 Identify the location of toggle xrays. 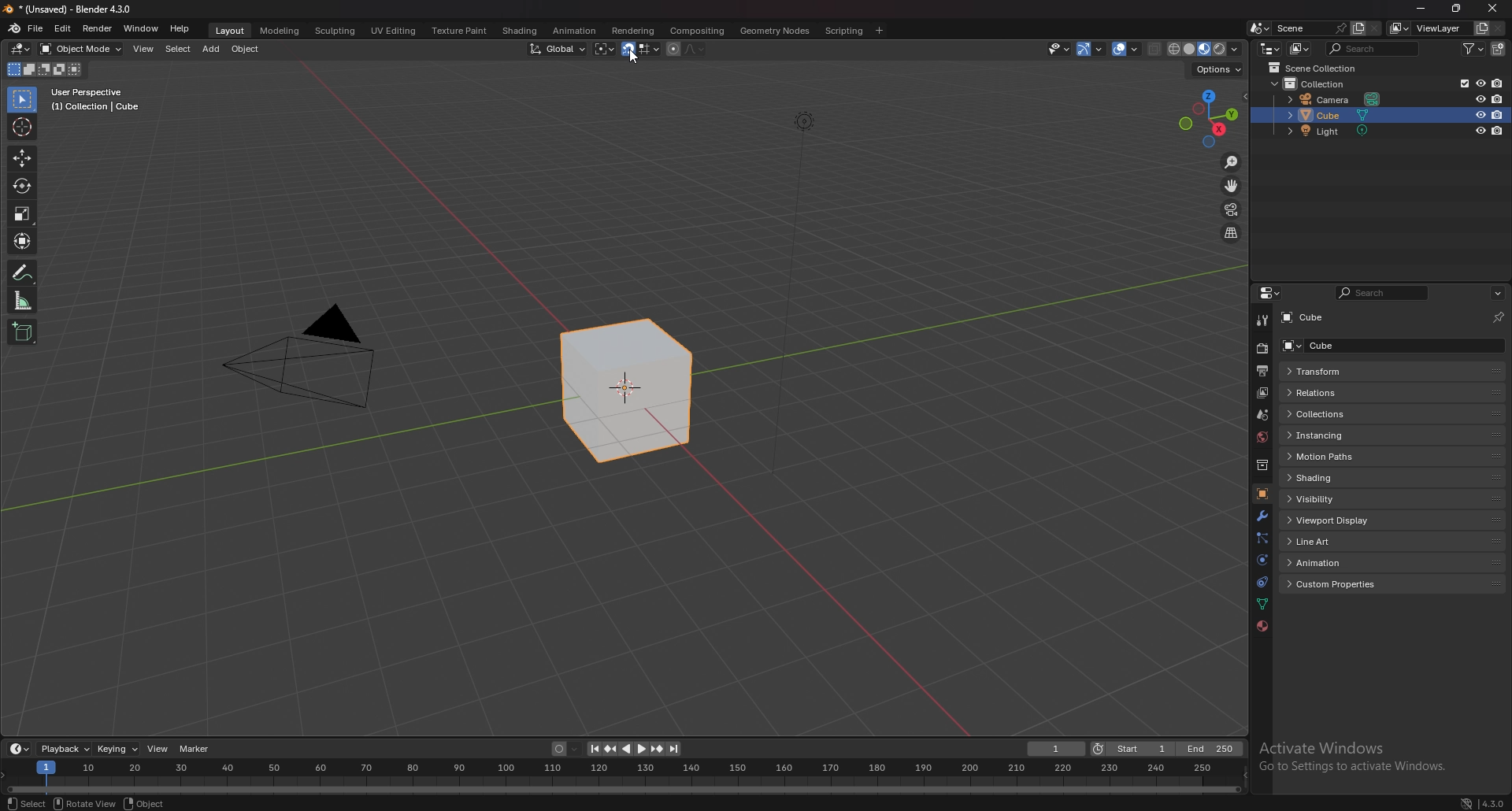
(1155, 49).